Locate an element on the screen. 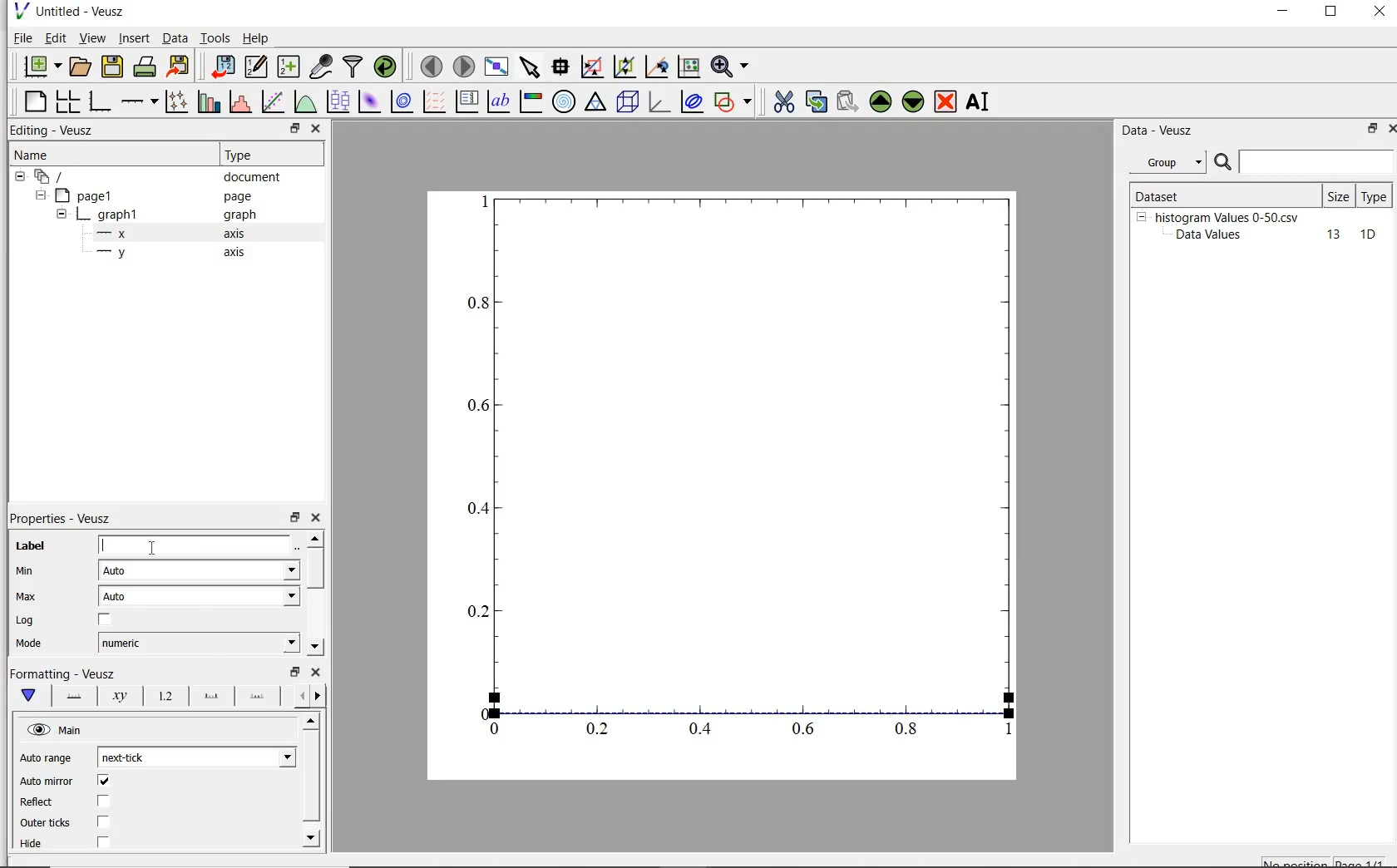 Image resolution: width=1397 pixels, height=868 pixels. previous options is located at coordinates (299, 696).